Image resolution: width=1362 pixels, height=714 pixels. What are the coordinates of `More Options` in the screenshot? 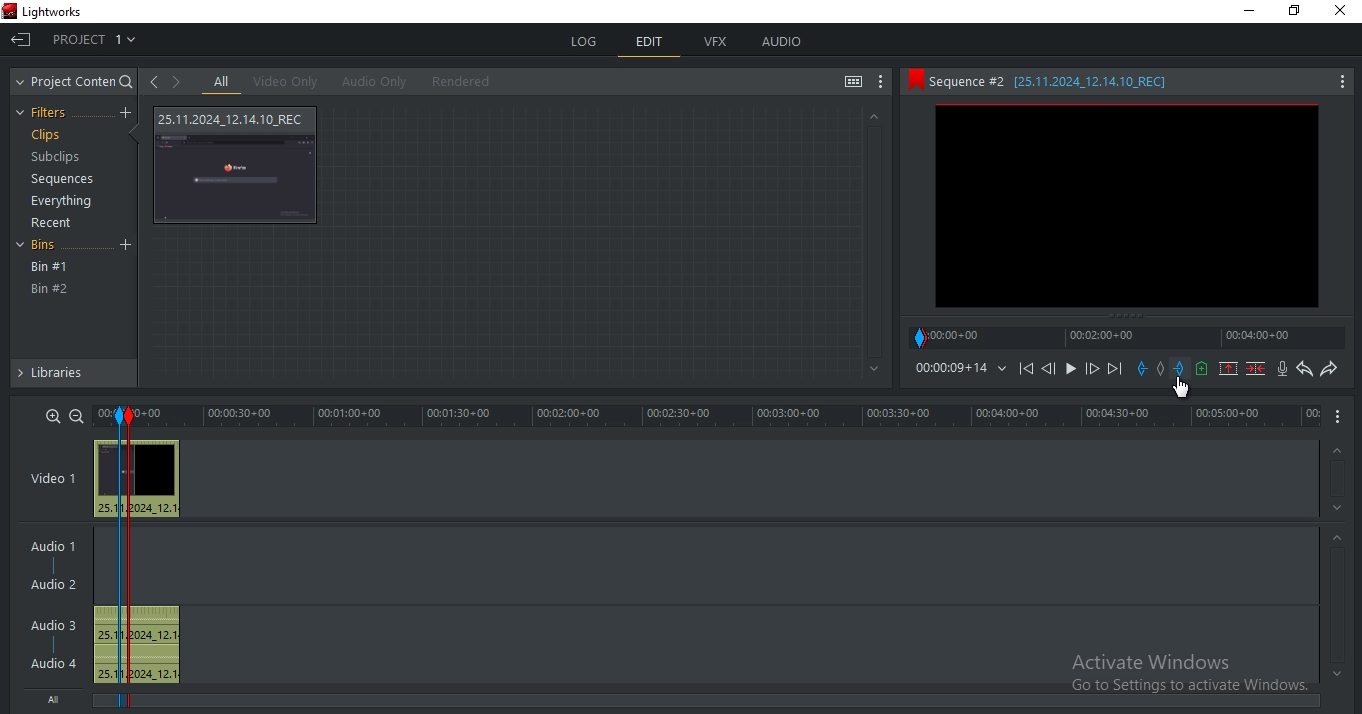 It's located at (1343, 80).